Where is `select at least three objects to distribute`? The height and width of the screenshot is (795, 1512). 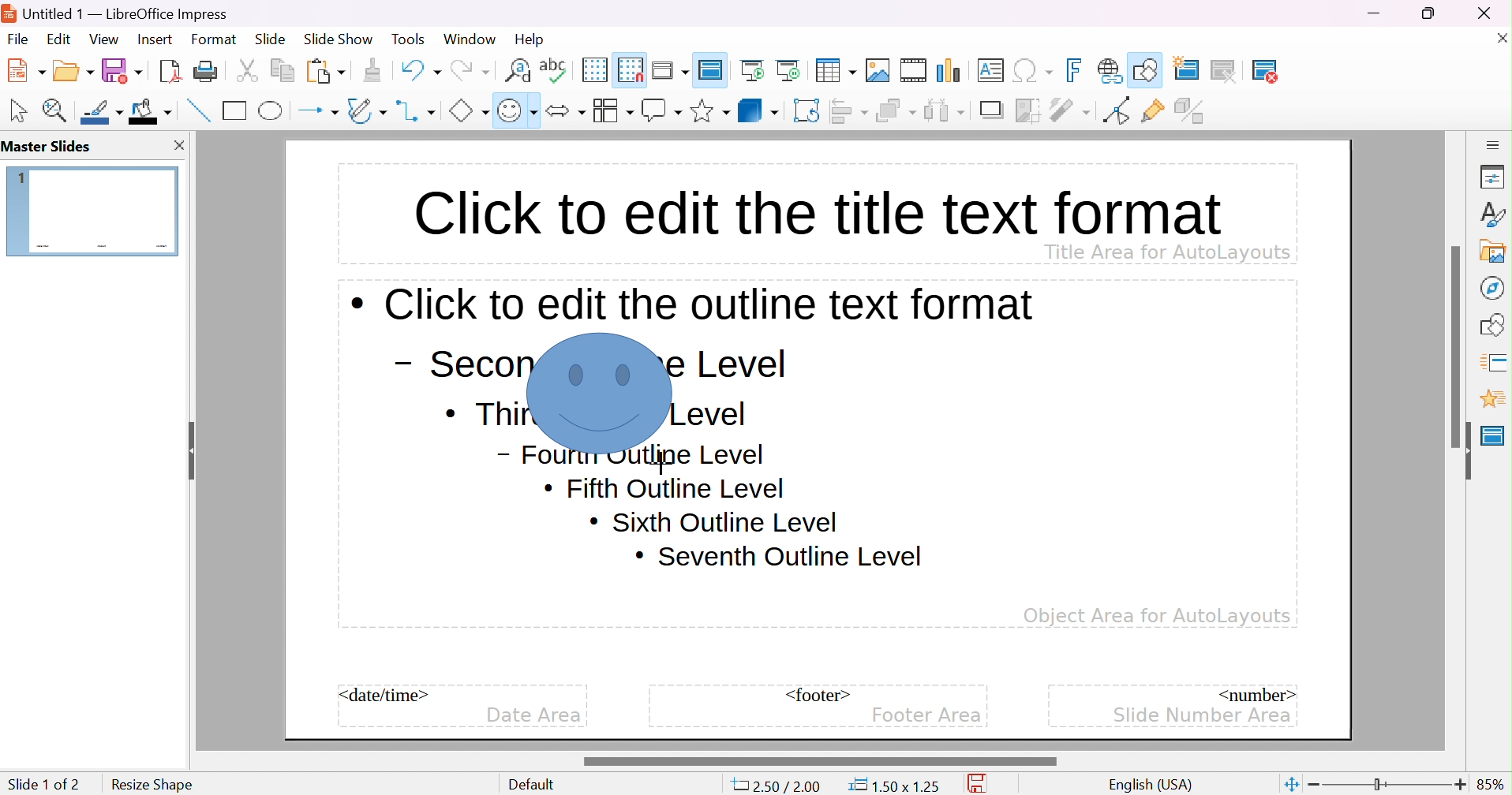 select at least three objects to distribute is located at coordinates (945, 110).